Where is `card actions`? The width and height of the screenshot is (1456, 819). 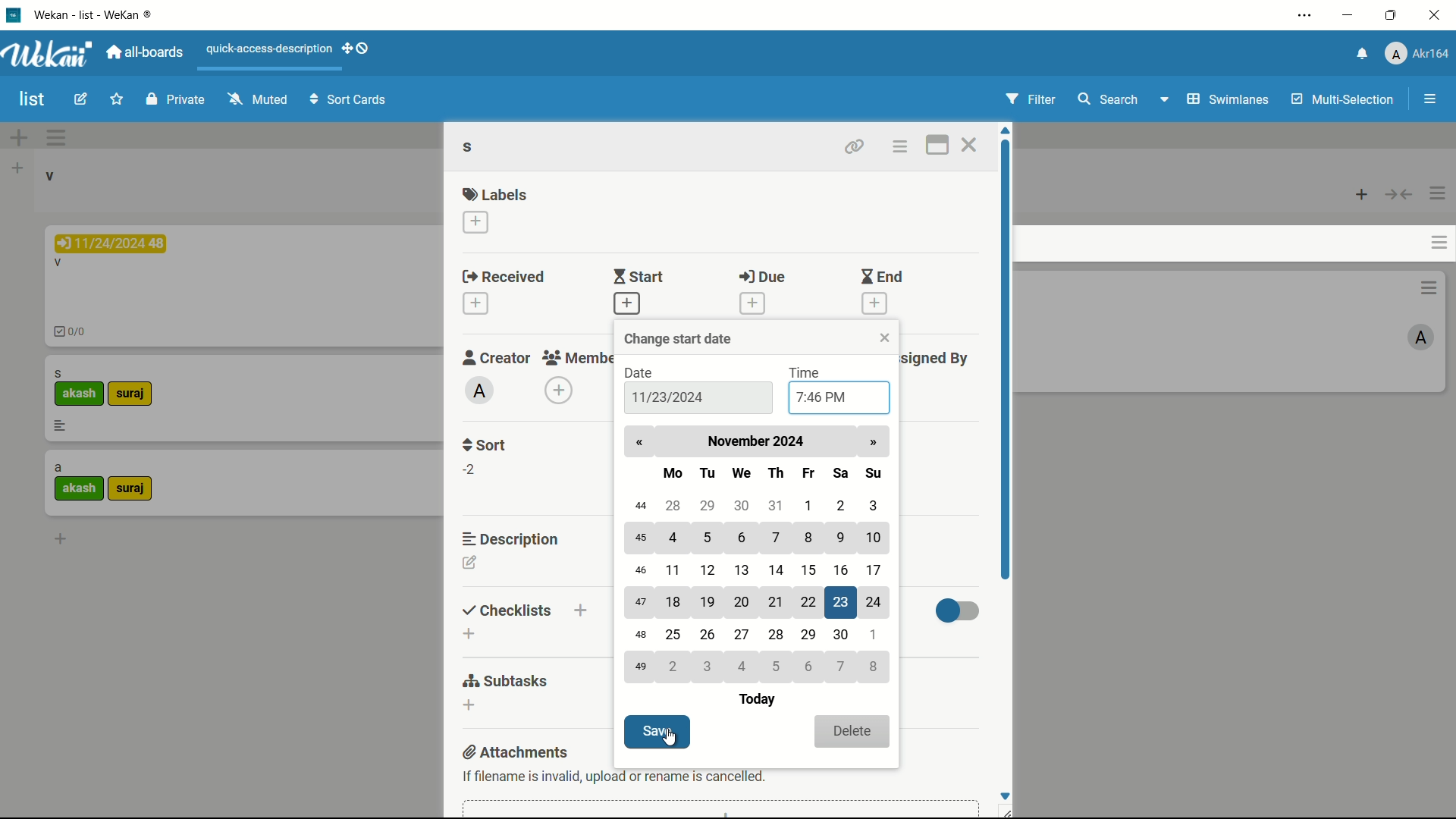 card actions is located at coordinates (1437, 243).